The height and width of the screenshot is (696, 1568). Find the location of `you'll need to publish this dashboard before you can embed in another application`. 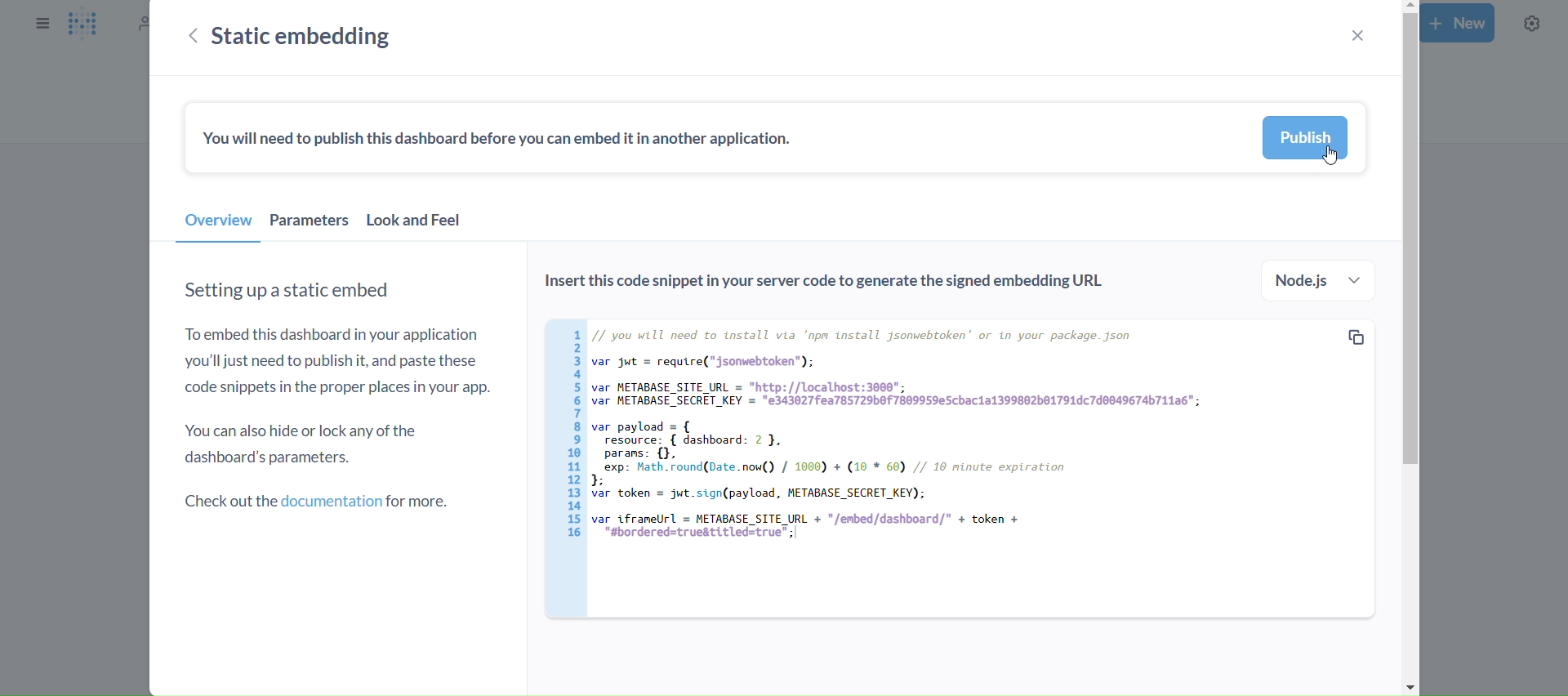

you'll need to publish this dashboard before you can embed in another application is located at coordinates (498, 143).